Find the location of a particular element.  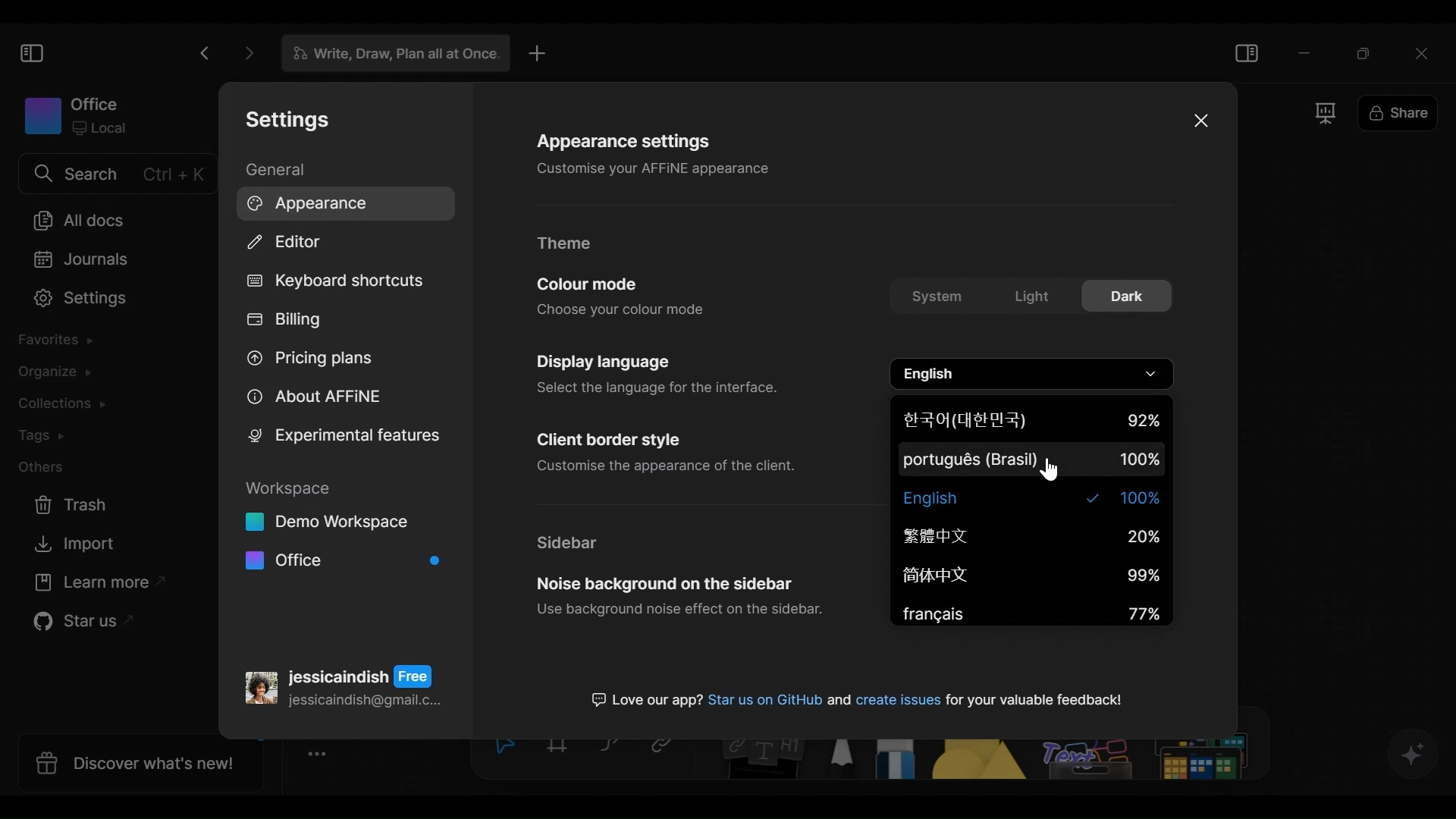

Client border Style is located at coordinates (666, 453).